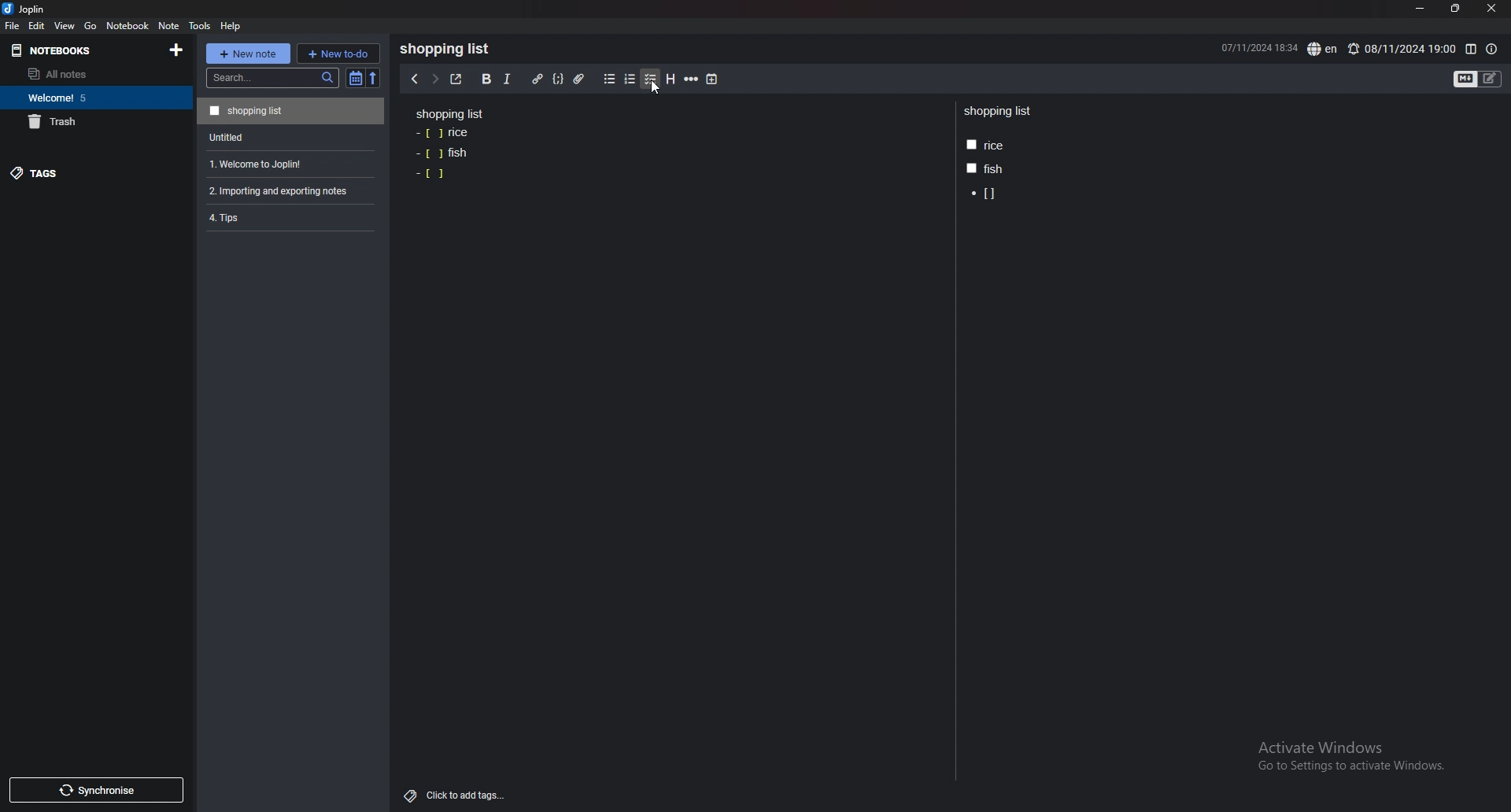 The height and width of the screenshot is (812, 1511). Describe the element at coordinates (231, 26) in the screenshot. I see `help` at that location.